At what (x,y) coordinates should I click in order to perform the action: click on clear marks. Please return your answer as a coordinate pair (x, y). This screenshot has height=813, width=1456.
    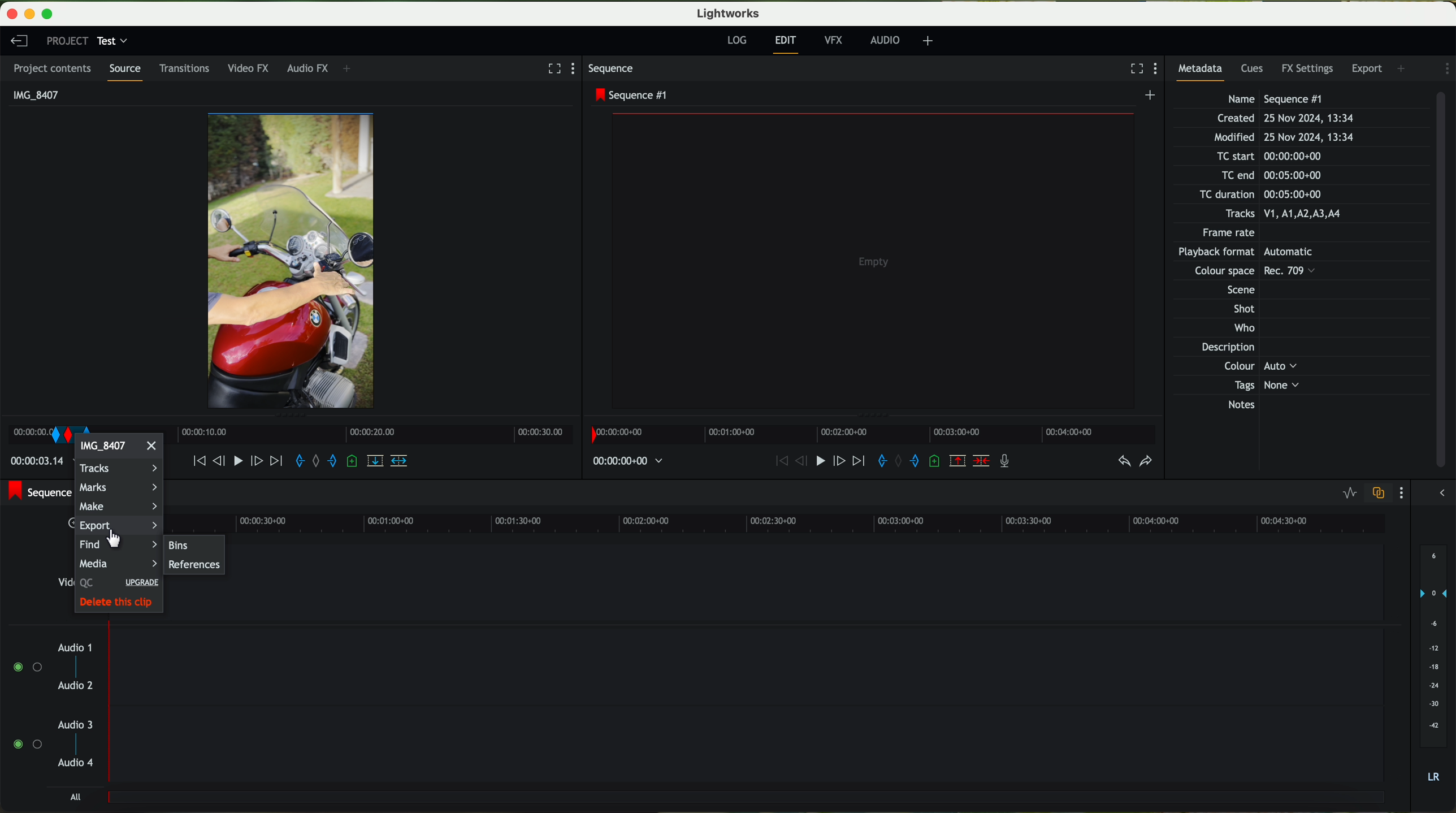
    Looking at the image, I should click on (319, 461).